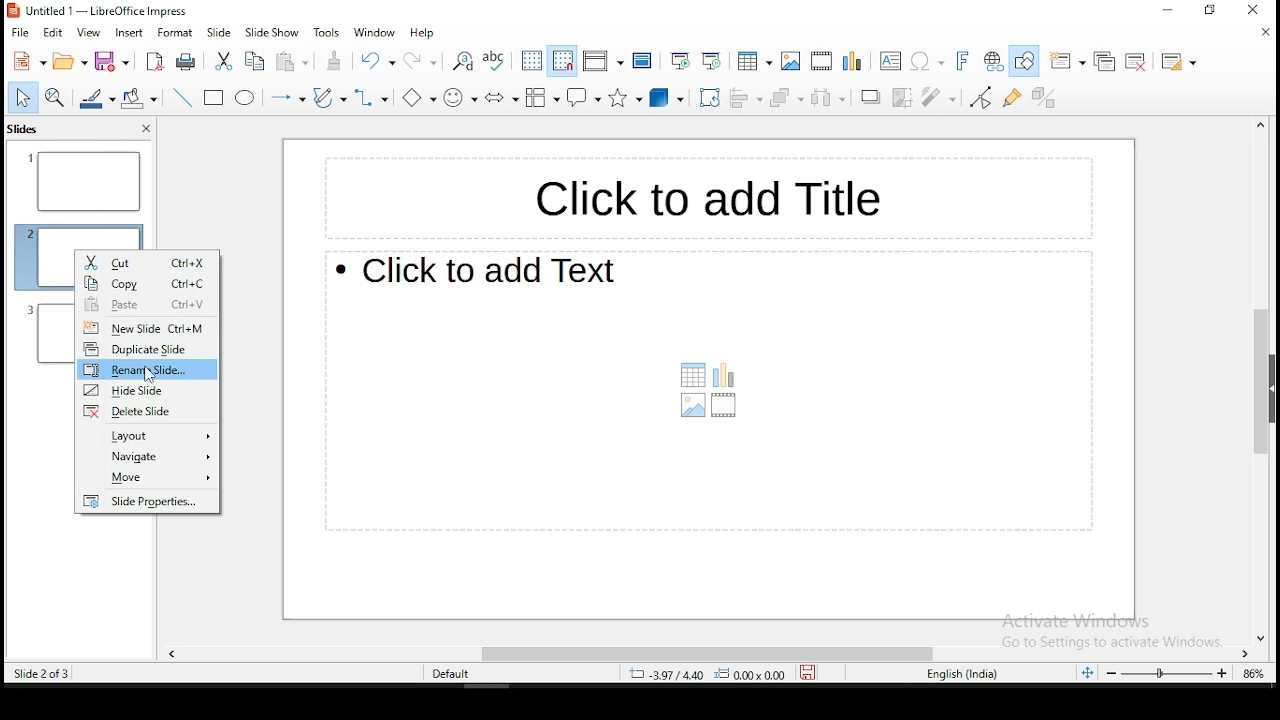  Describe the element at coordinates (494, 62) in the screenshot. I see `spell check` at that location.